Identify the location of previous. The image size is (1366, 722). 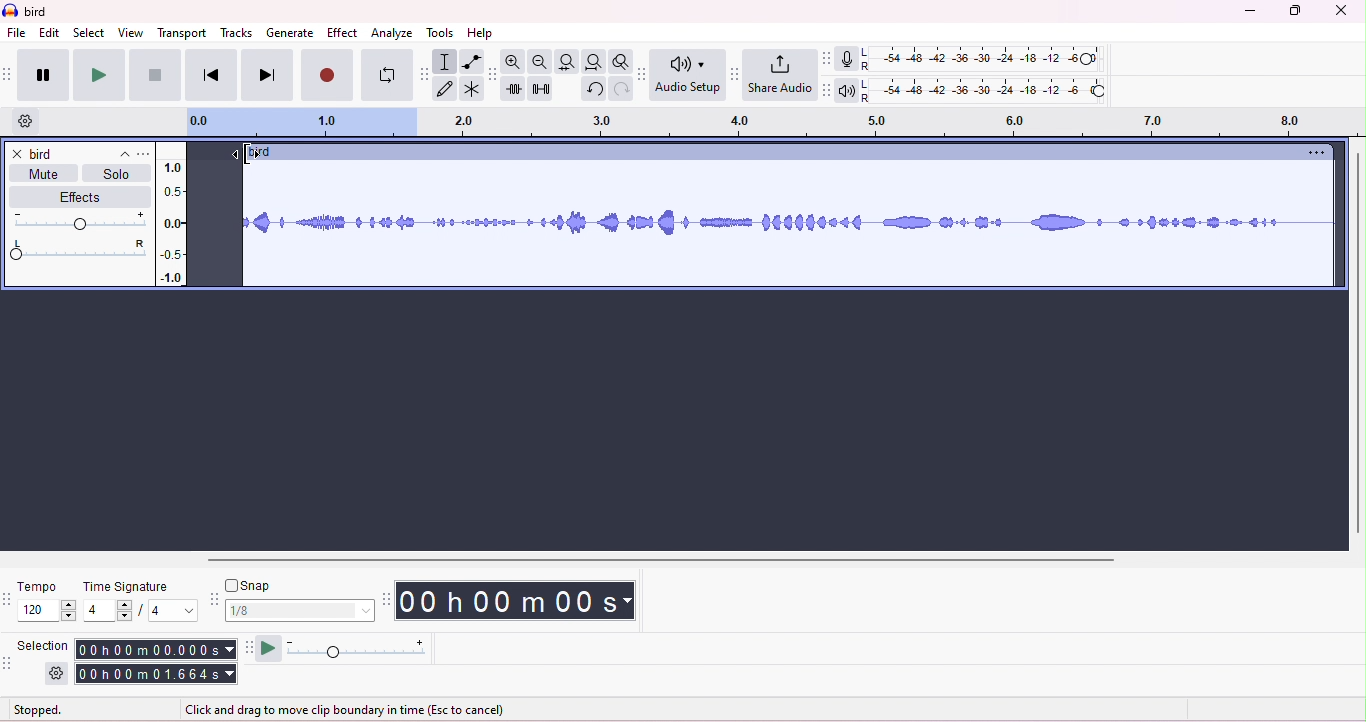
(210, 77).